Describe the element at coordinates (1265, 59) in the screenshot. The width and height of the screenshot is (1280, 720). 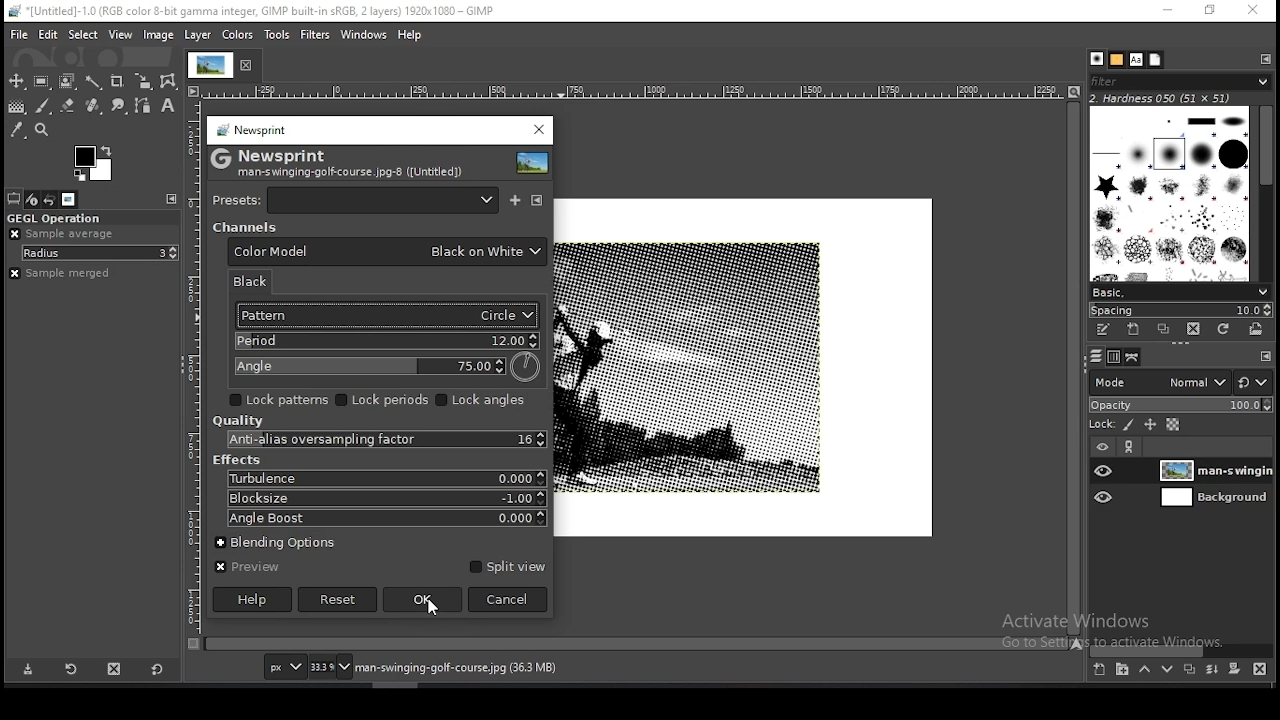
I see `configure this tab` at that location.